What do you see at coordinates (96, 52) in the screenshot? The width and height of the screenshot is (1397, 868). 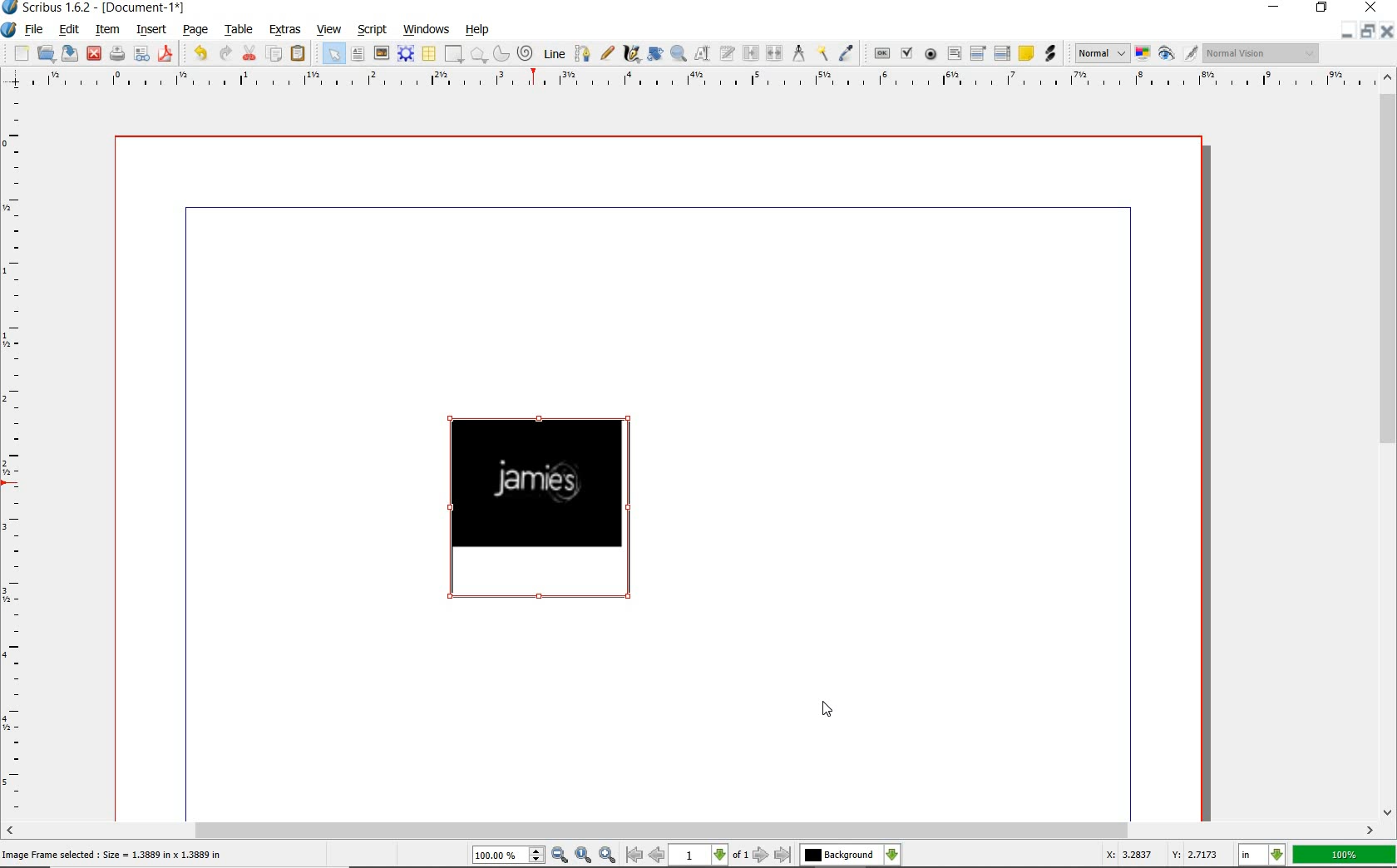 I see `close` at bounding box center [96, 52].